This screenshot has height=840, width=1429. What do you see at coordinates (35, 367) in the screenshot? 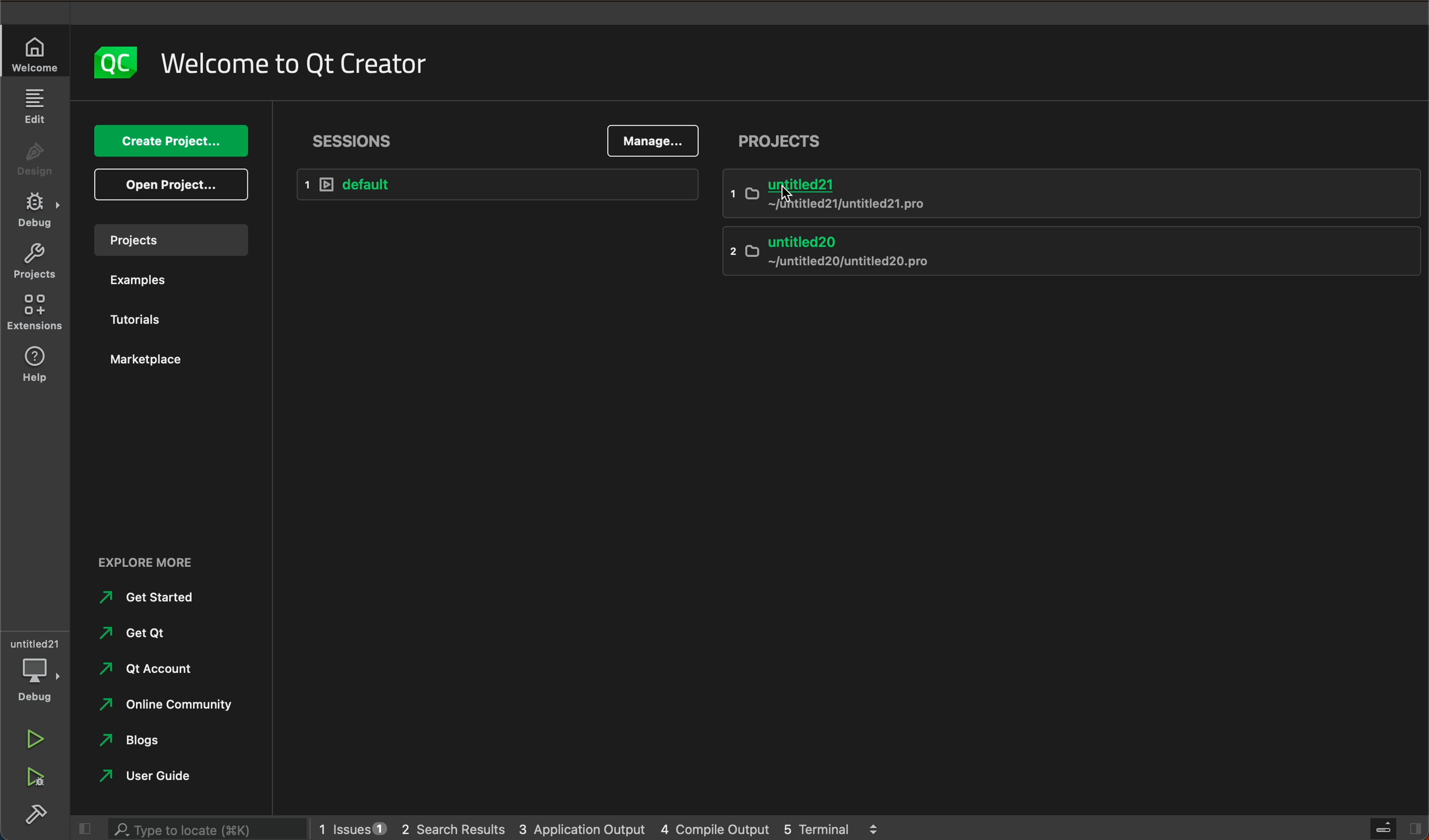
I see `help` at bounding box center [35, 367].